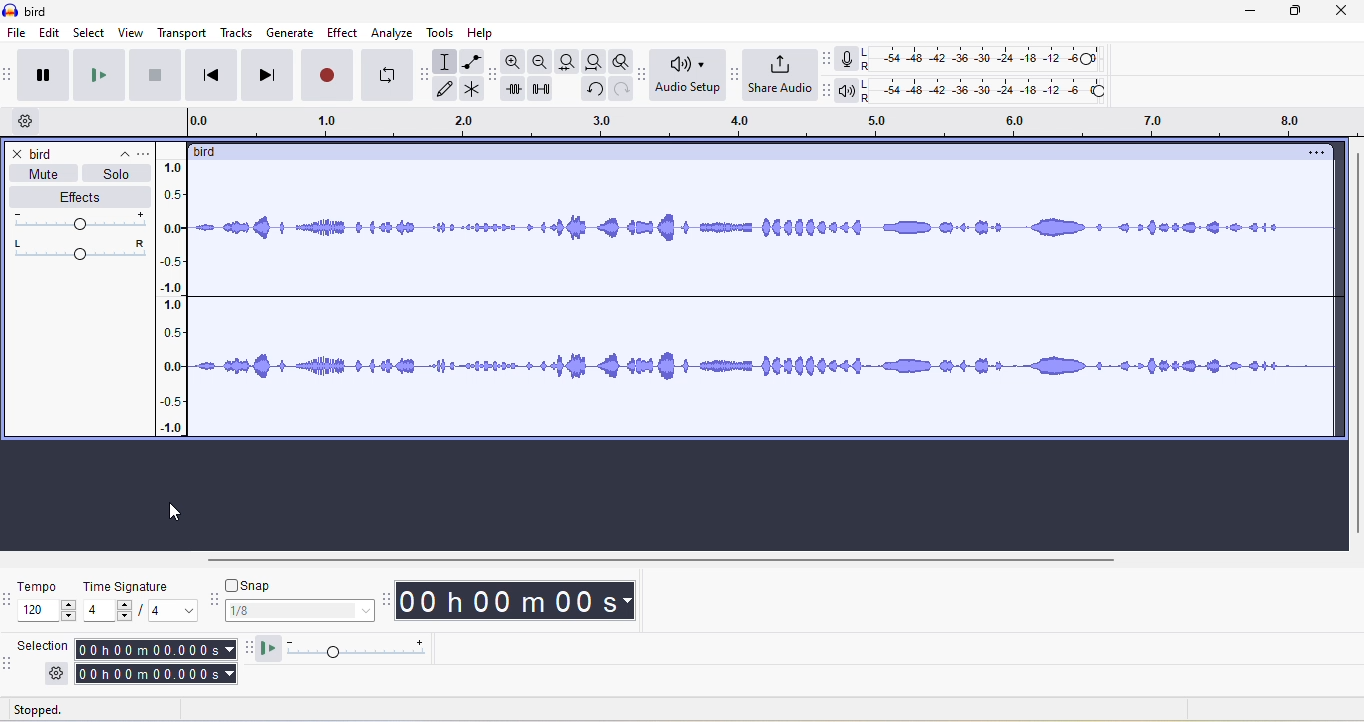  I want to click on draw tool, so click(450, 90).